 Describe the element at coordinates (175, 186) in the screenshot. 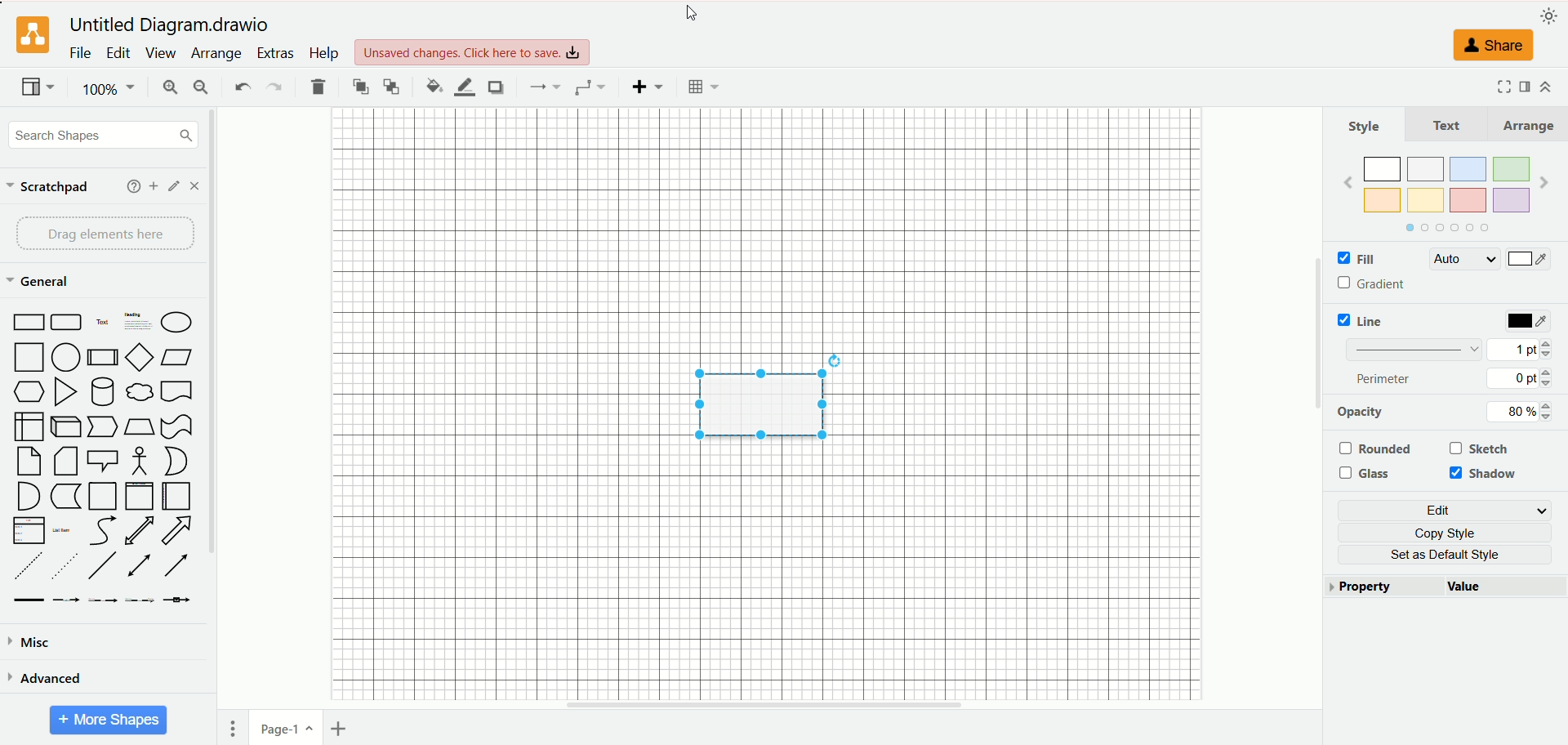

I see `edit` at that location.